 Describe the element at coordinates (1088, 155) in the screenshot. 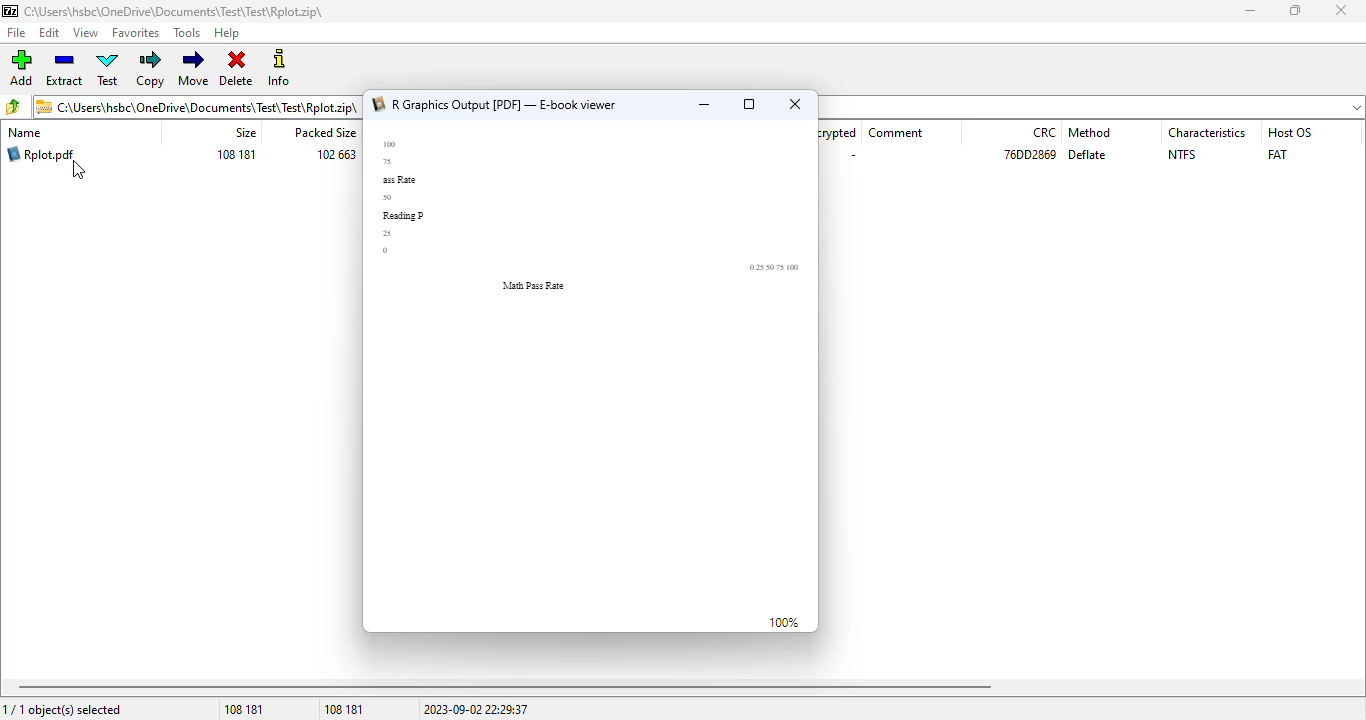

I see `deflate` at that location.